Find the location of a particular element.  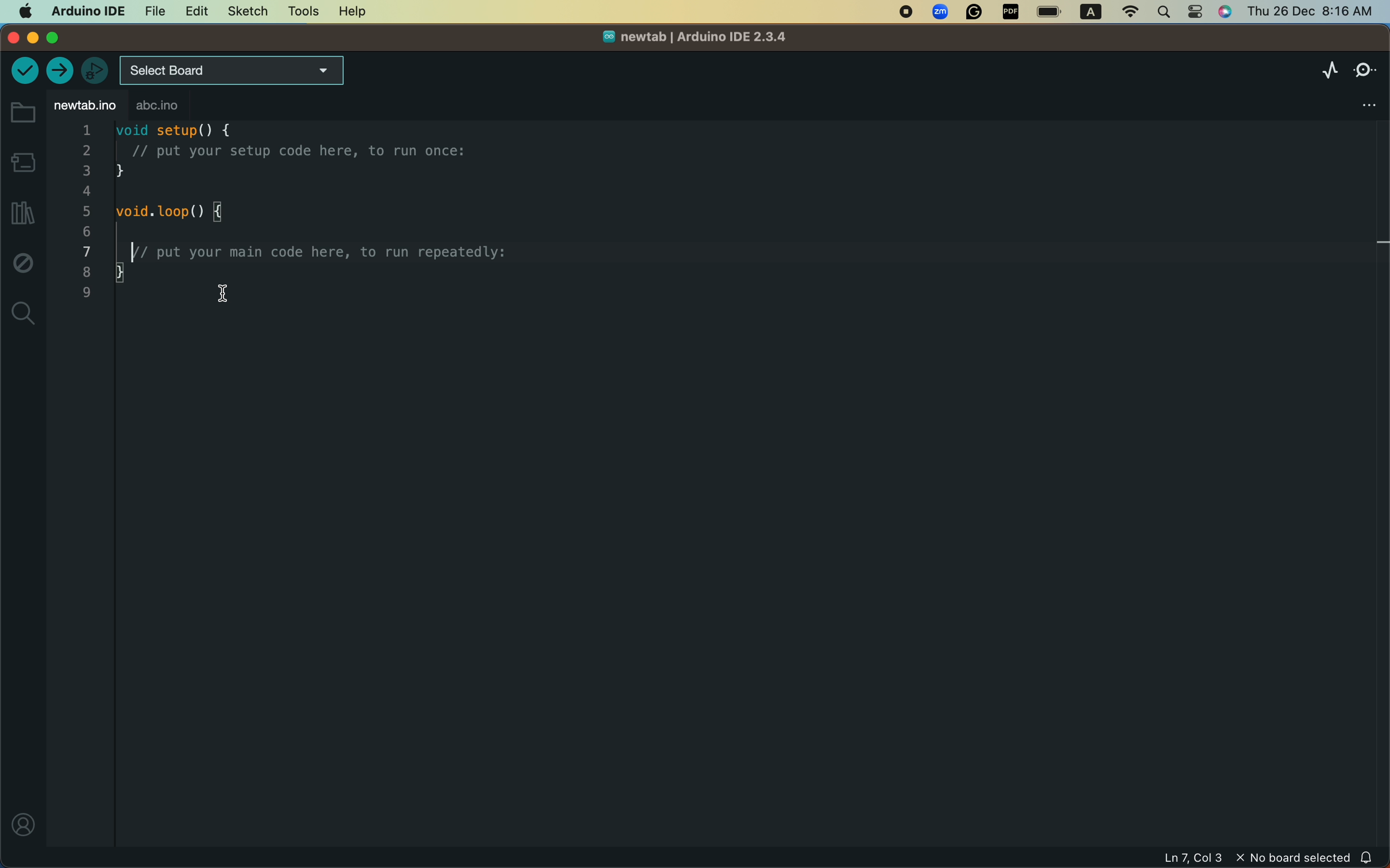

 is located at coordinates (975, 13).